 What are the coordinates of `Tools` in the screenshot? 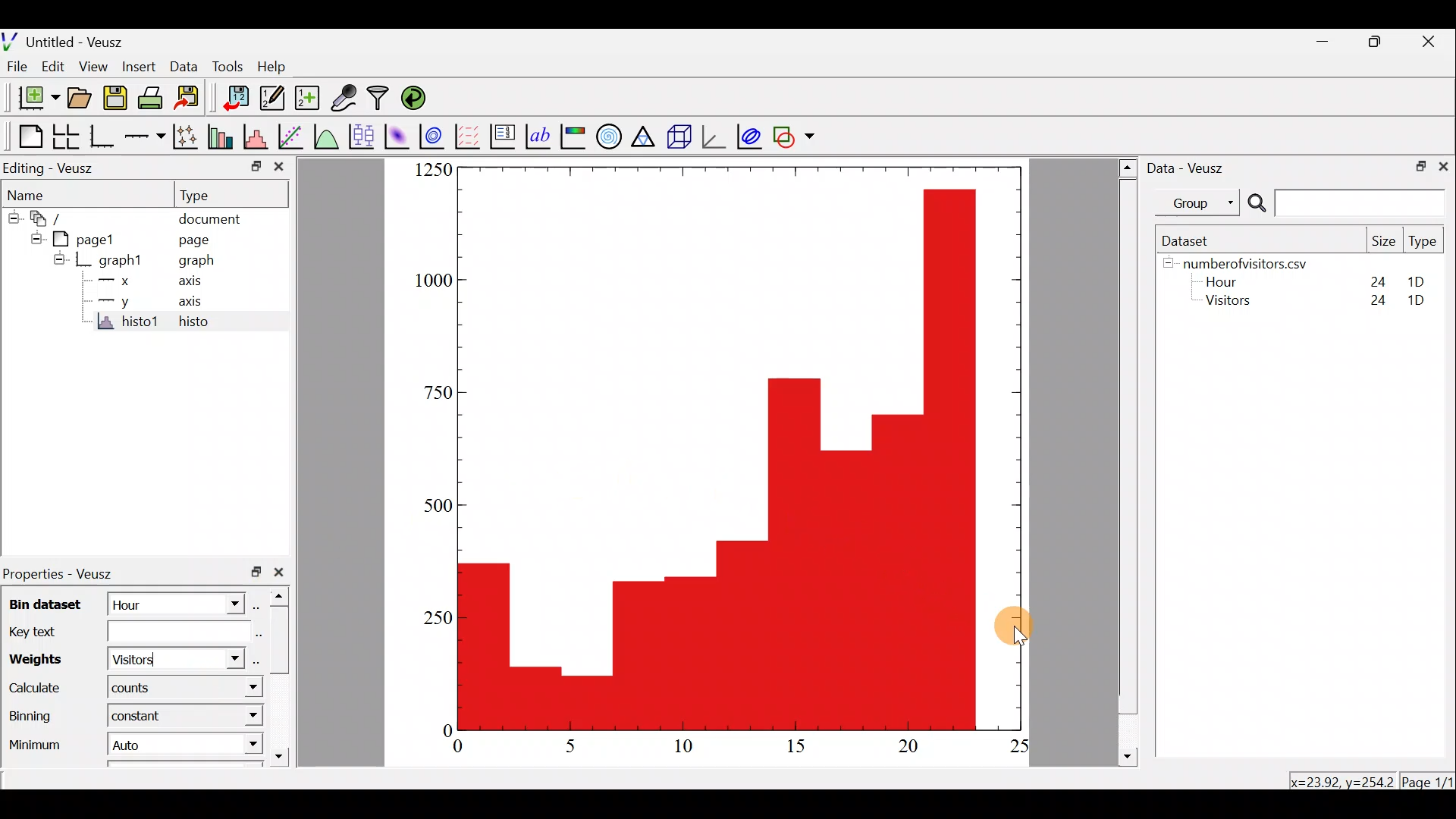 It's located at (231, 67).